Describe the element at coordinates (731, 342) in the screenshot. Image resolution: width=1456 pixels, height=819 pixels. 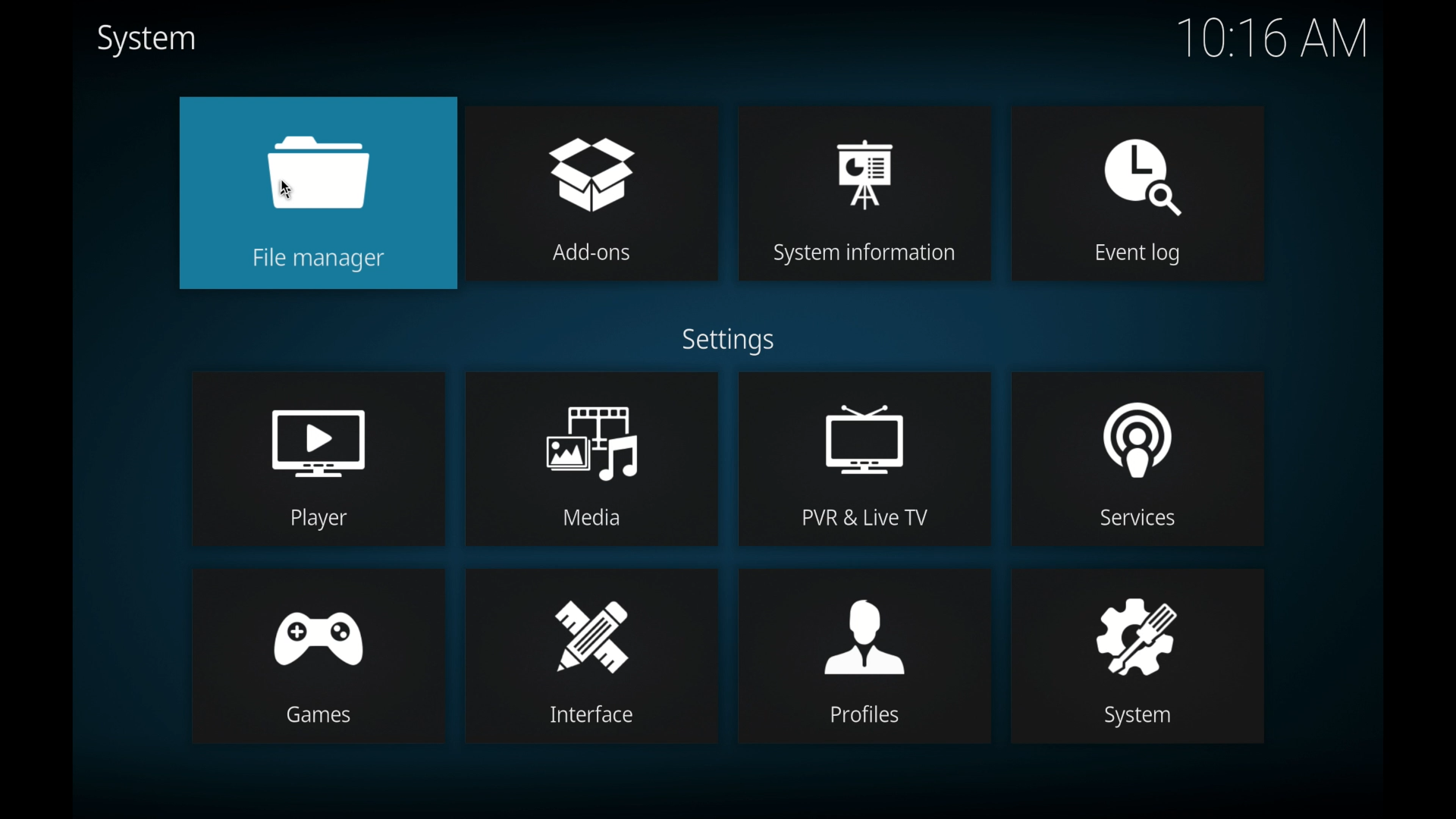
I see `settings` at that location.